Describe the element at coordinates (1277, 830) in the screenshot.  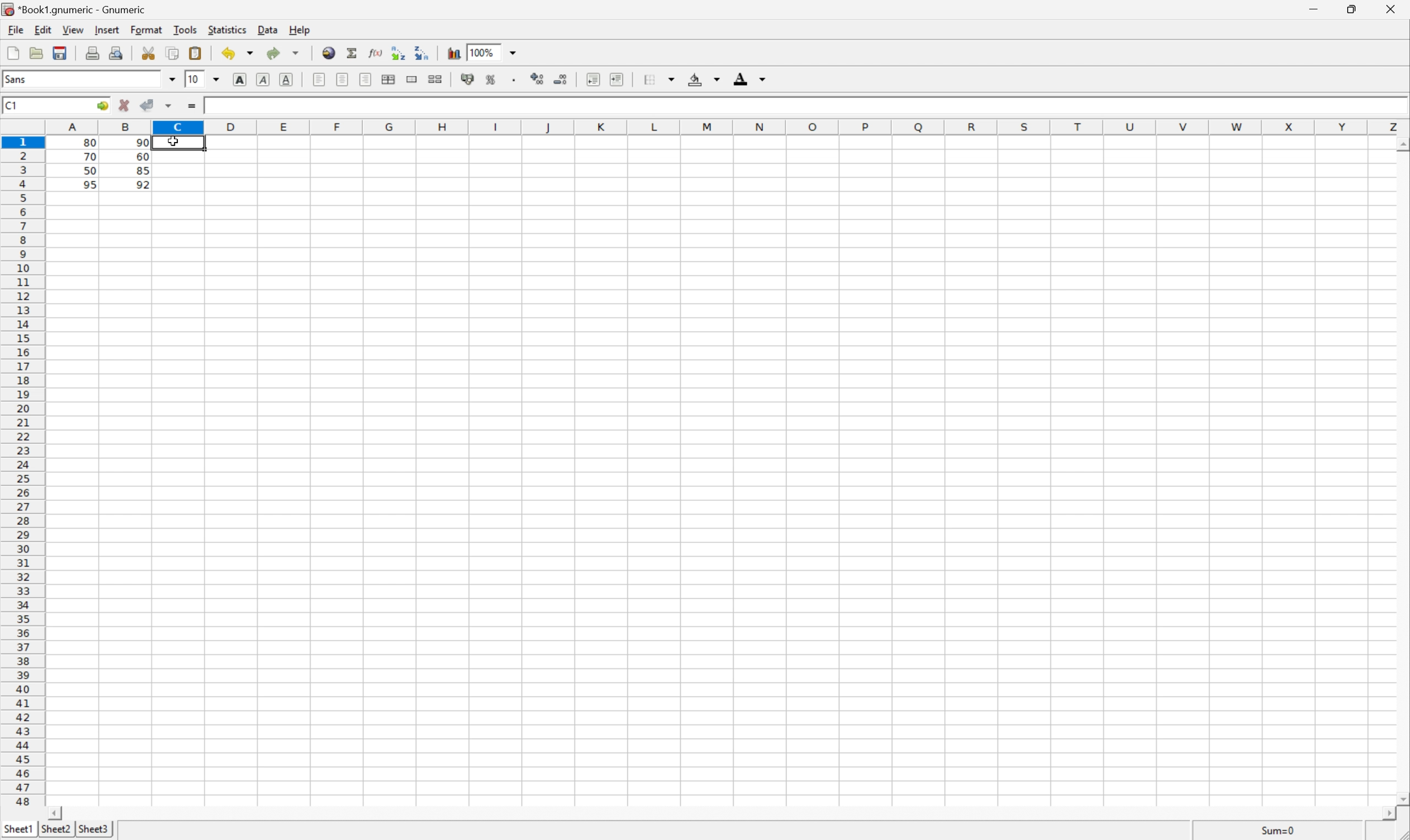
I see `Sum=80` at that location.